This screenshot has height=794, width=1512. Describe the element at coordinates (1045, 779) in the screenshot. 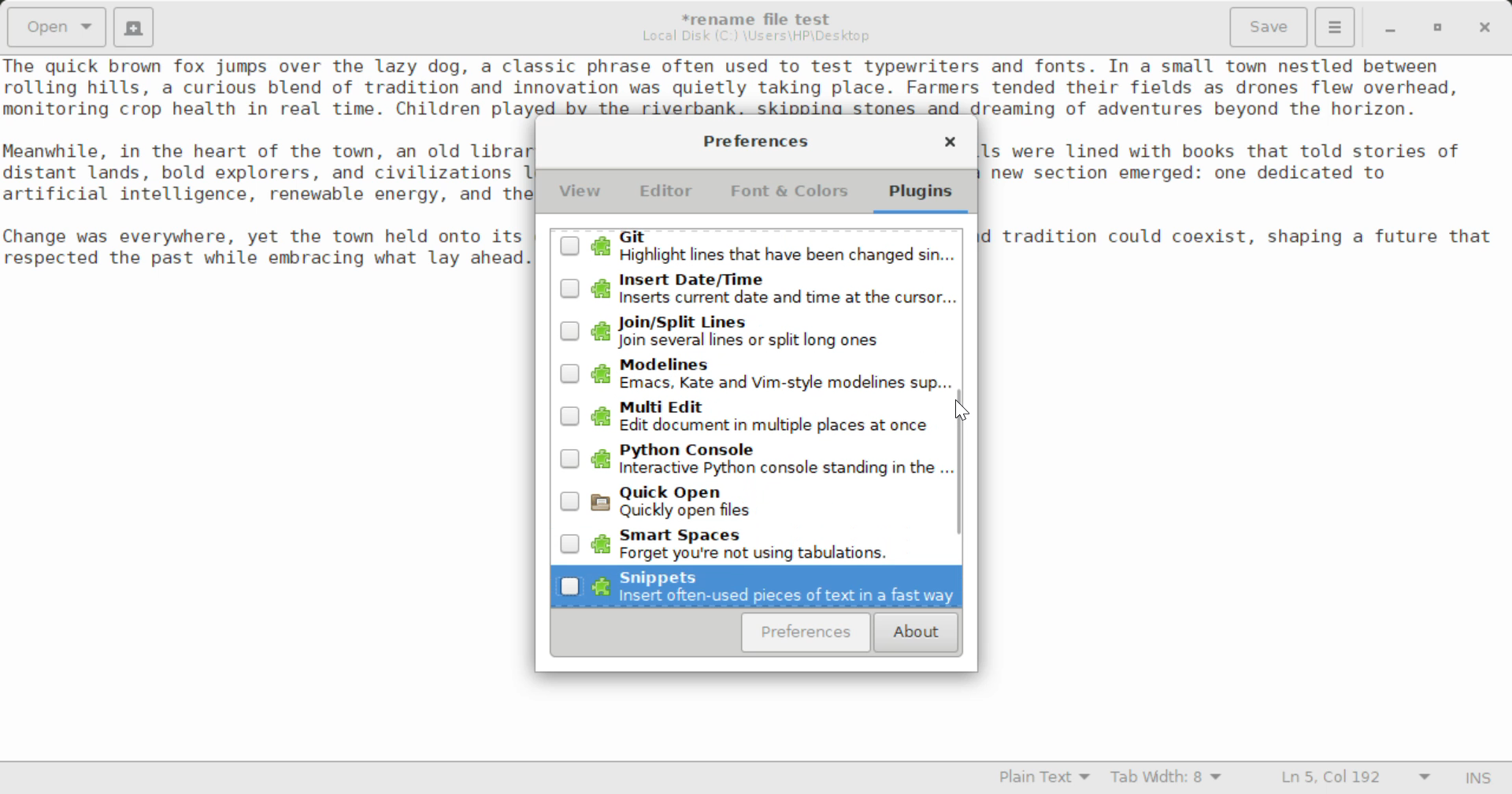

I see `Selected Language` at that location.